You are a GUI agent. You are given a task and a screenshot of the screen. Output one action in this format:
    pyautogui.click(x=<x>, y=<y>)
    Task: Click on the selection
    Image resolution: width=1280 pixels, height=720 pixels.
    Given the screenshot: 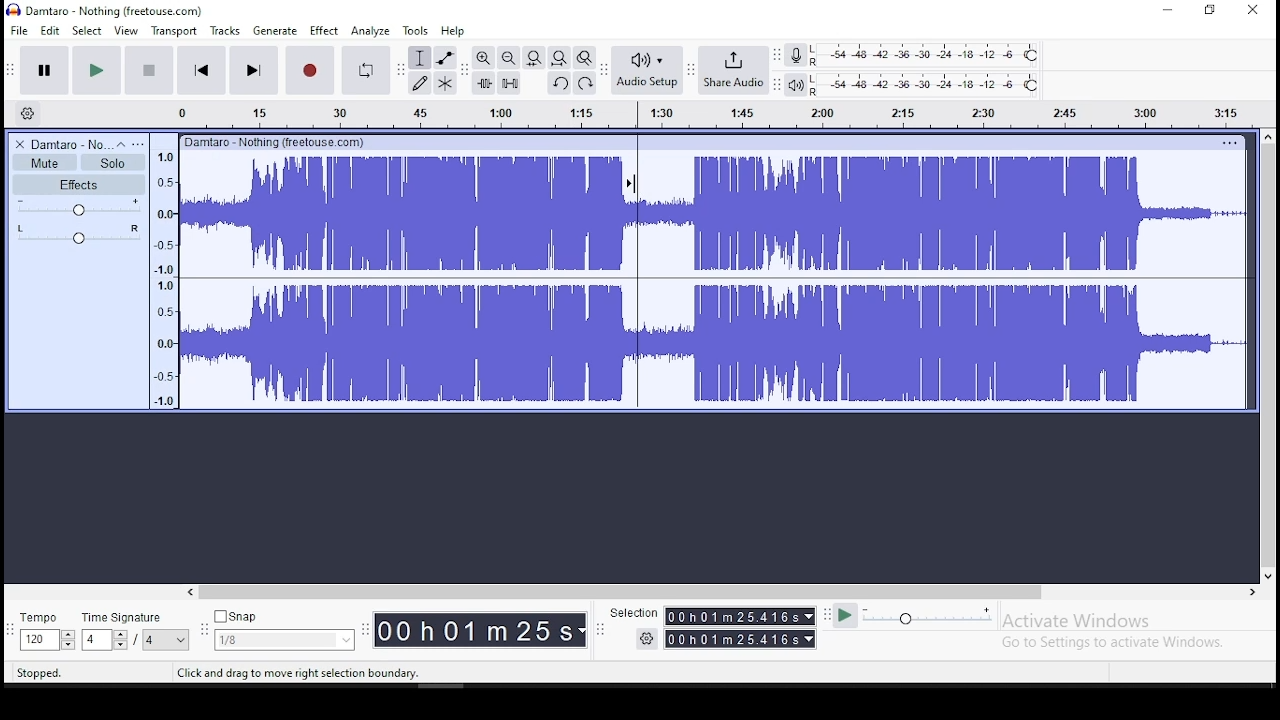 What is the action you would take?
    pyautogui.click(x=634, y=612)
    